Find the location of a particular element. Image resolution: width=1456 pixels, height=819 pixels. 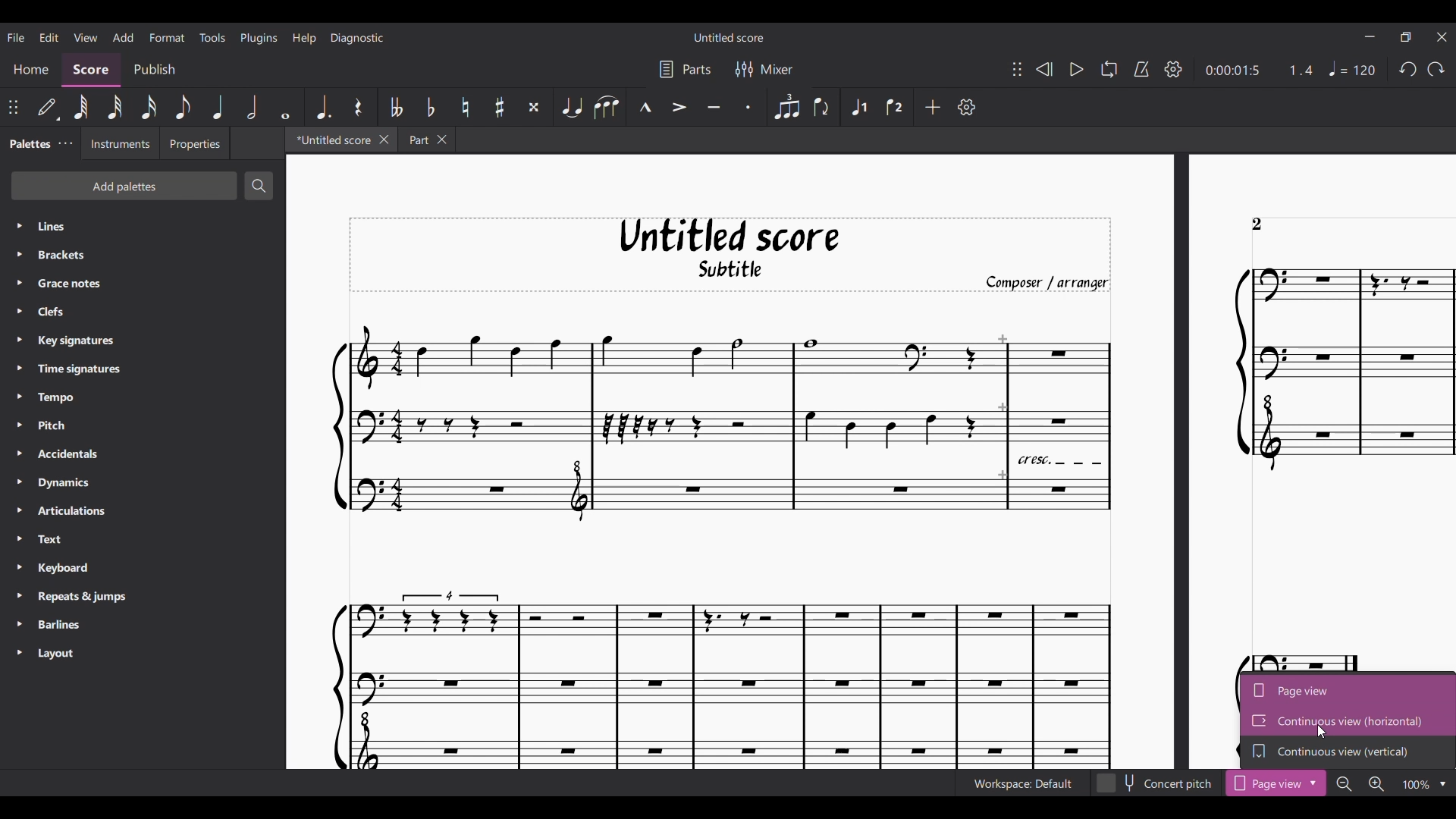

Add palette is located at coordinates (124, 186).